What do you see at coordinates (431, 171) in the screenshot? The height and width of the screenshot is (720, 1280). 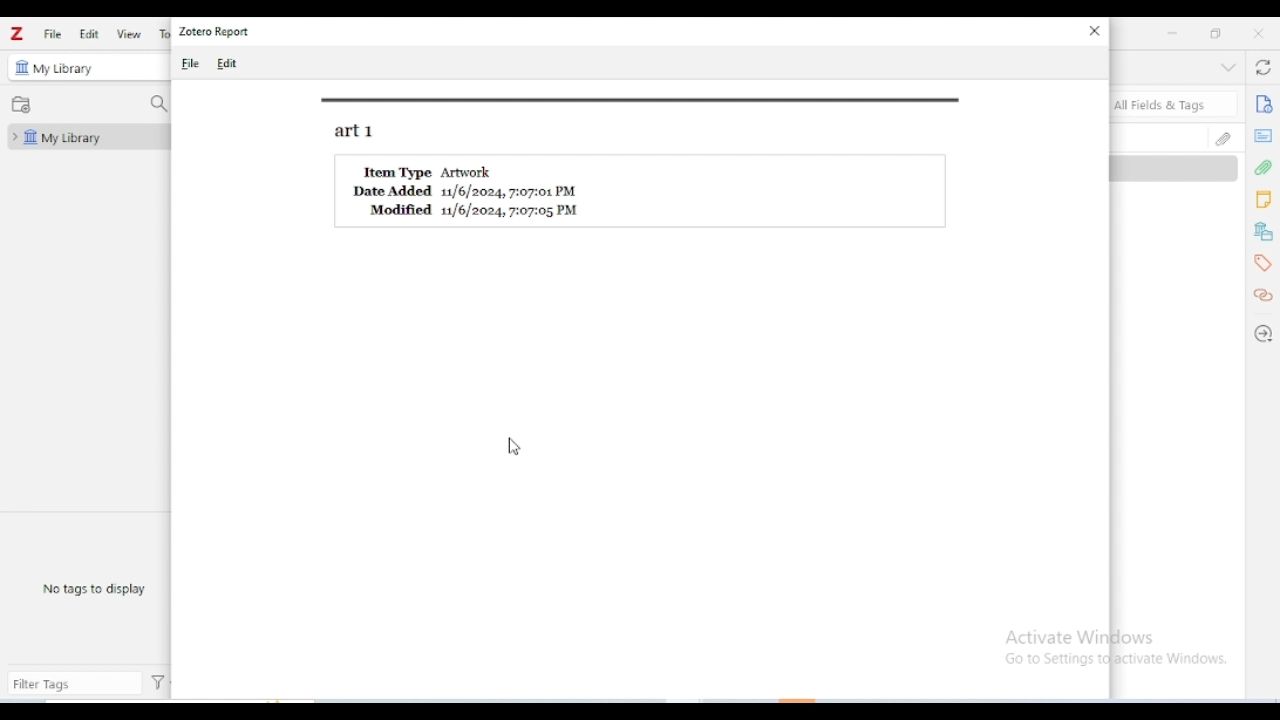 I see `Item Type Artwork` at bounding box center [431, 171].